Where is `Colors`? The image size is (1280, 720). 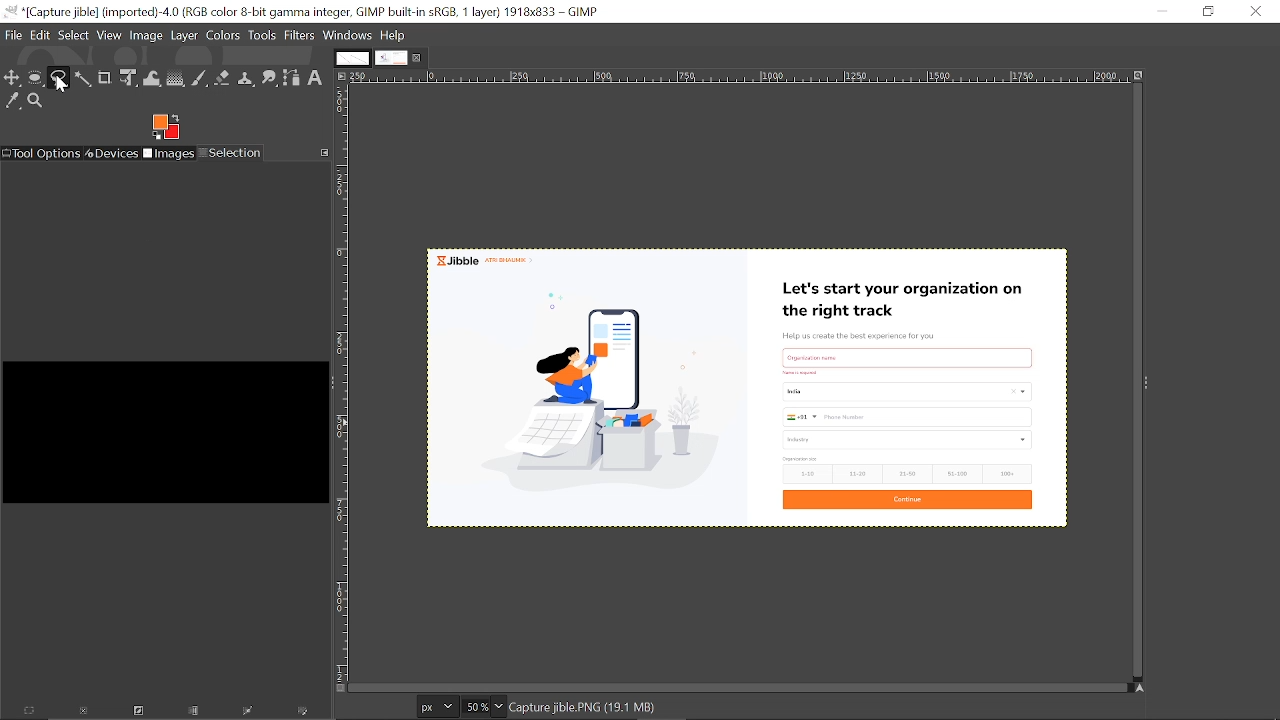 Colors is located at coordinates (224, 35).